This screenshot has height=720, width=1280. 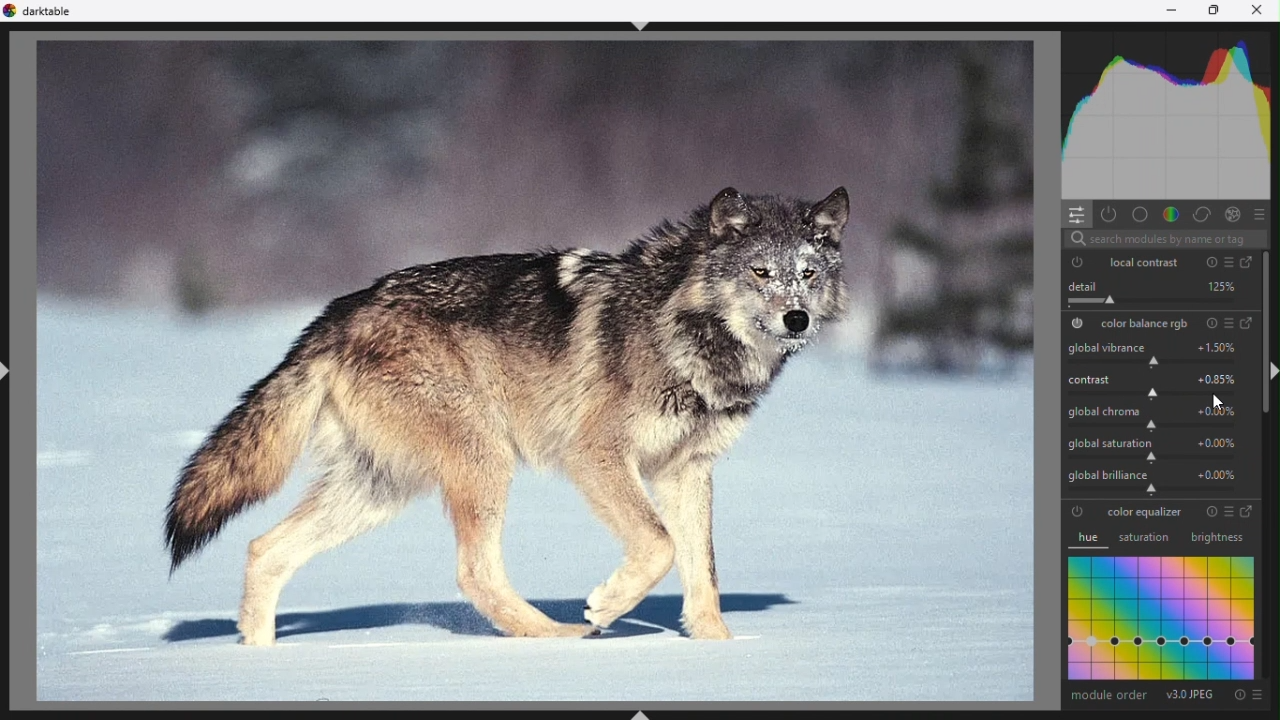 I want to click on presets, so click(x=1227, y=324).